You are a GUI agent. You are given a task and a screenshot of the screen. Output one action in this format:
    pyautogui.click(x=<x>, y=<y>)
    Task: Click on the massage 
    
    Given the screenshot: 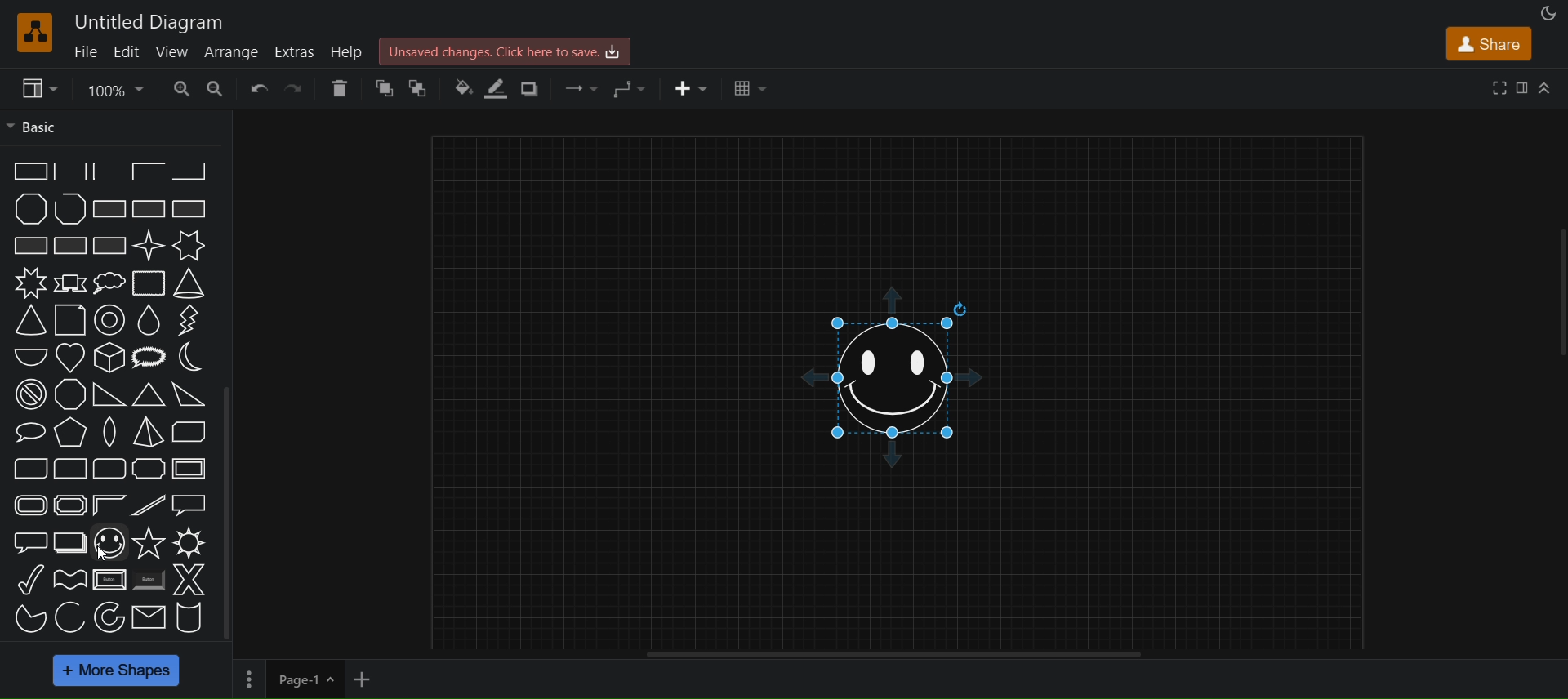 What is the action you would take?
    pyautogui.click(x=148, y=617)
    